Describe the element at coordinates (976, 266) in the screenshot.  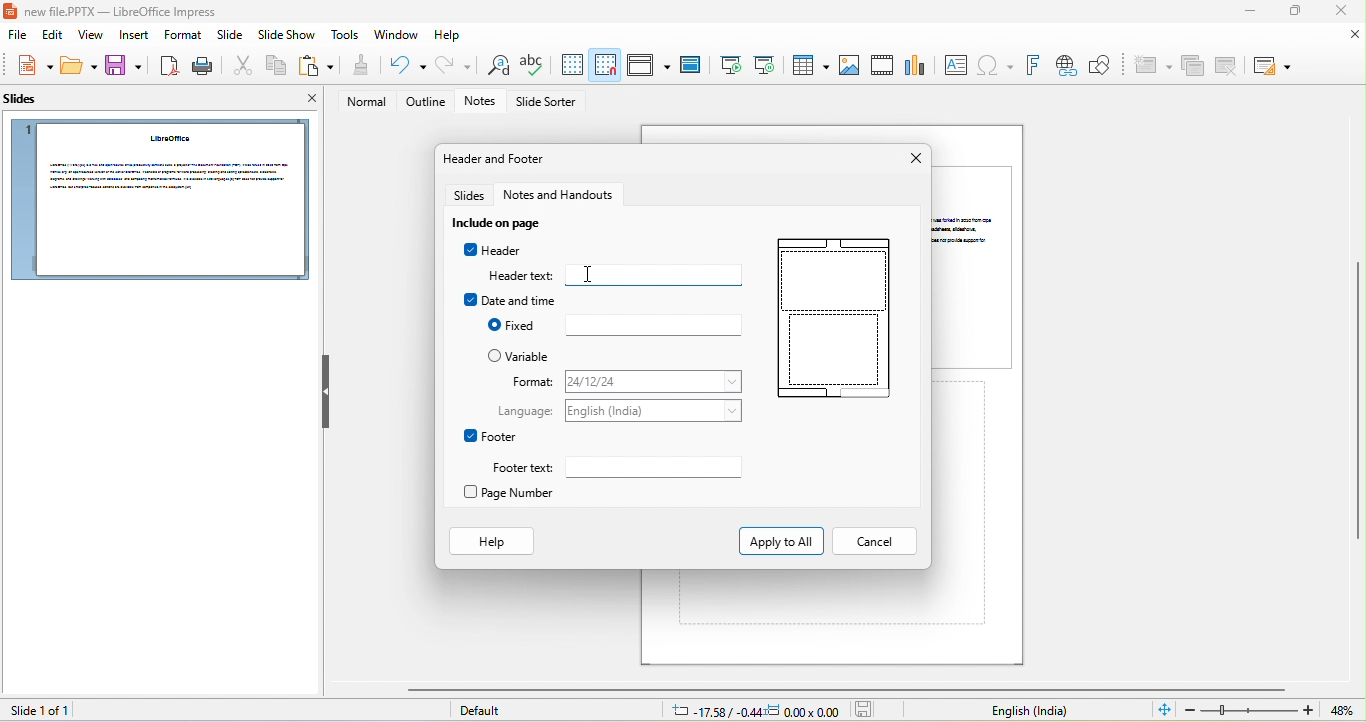
I see `slide` at that location.